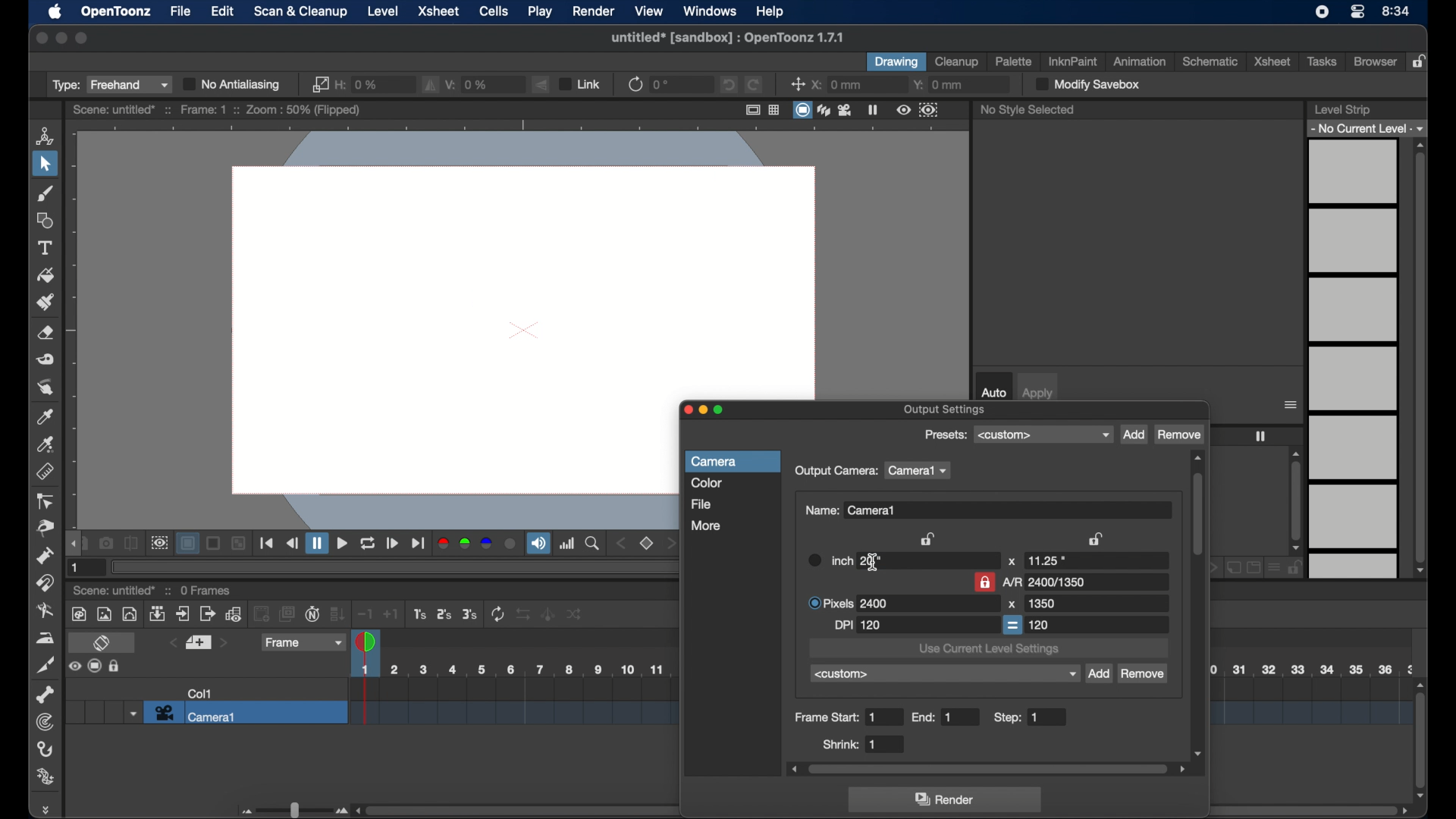  Describe the element at coordinates (770, 12) in the screenshot. I see `help` at that location.